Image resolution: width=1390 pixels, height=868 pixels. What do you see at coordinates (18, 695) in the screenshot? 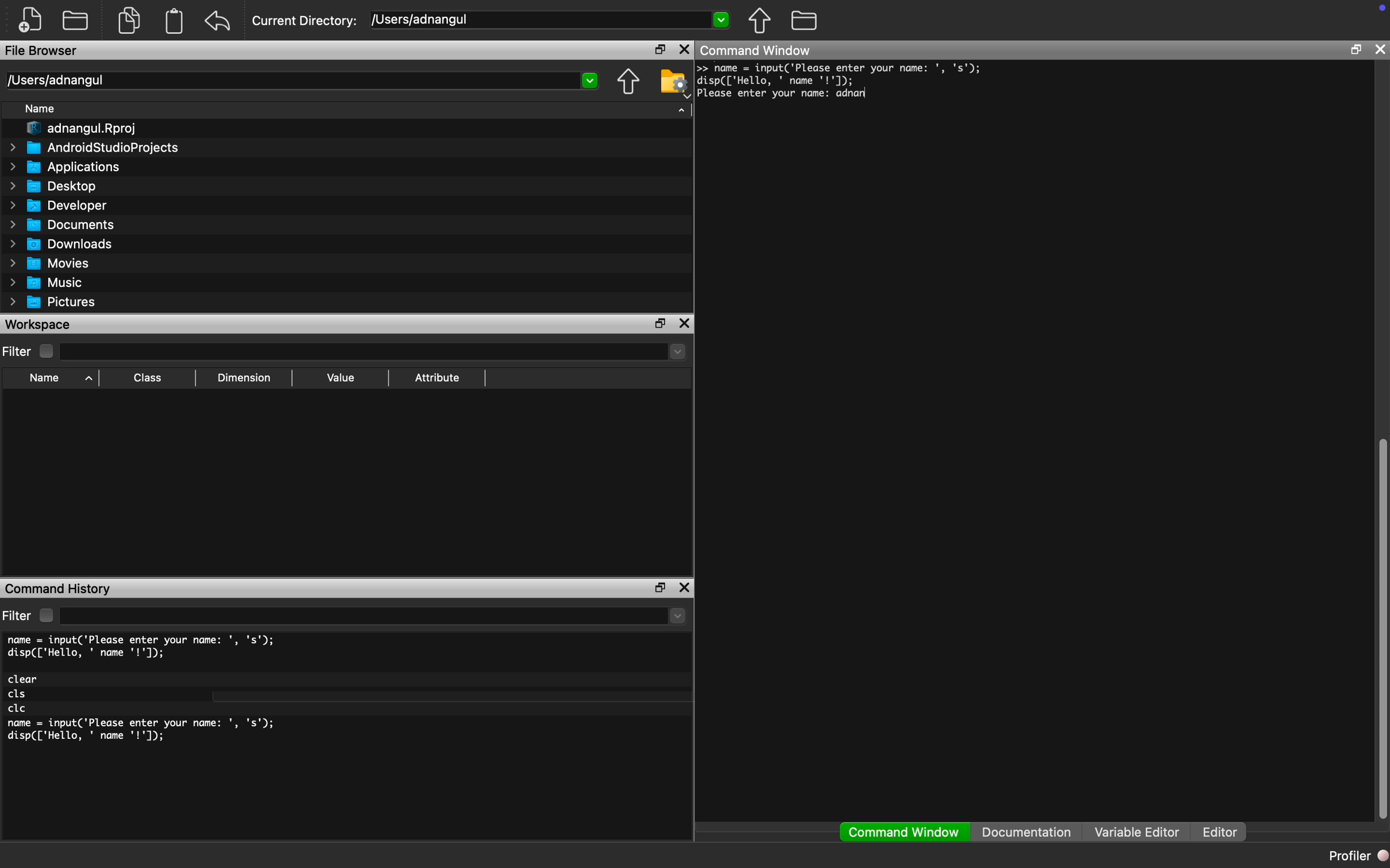
I see `cls` at bounding box center [18, 695].